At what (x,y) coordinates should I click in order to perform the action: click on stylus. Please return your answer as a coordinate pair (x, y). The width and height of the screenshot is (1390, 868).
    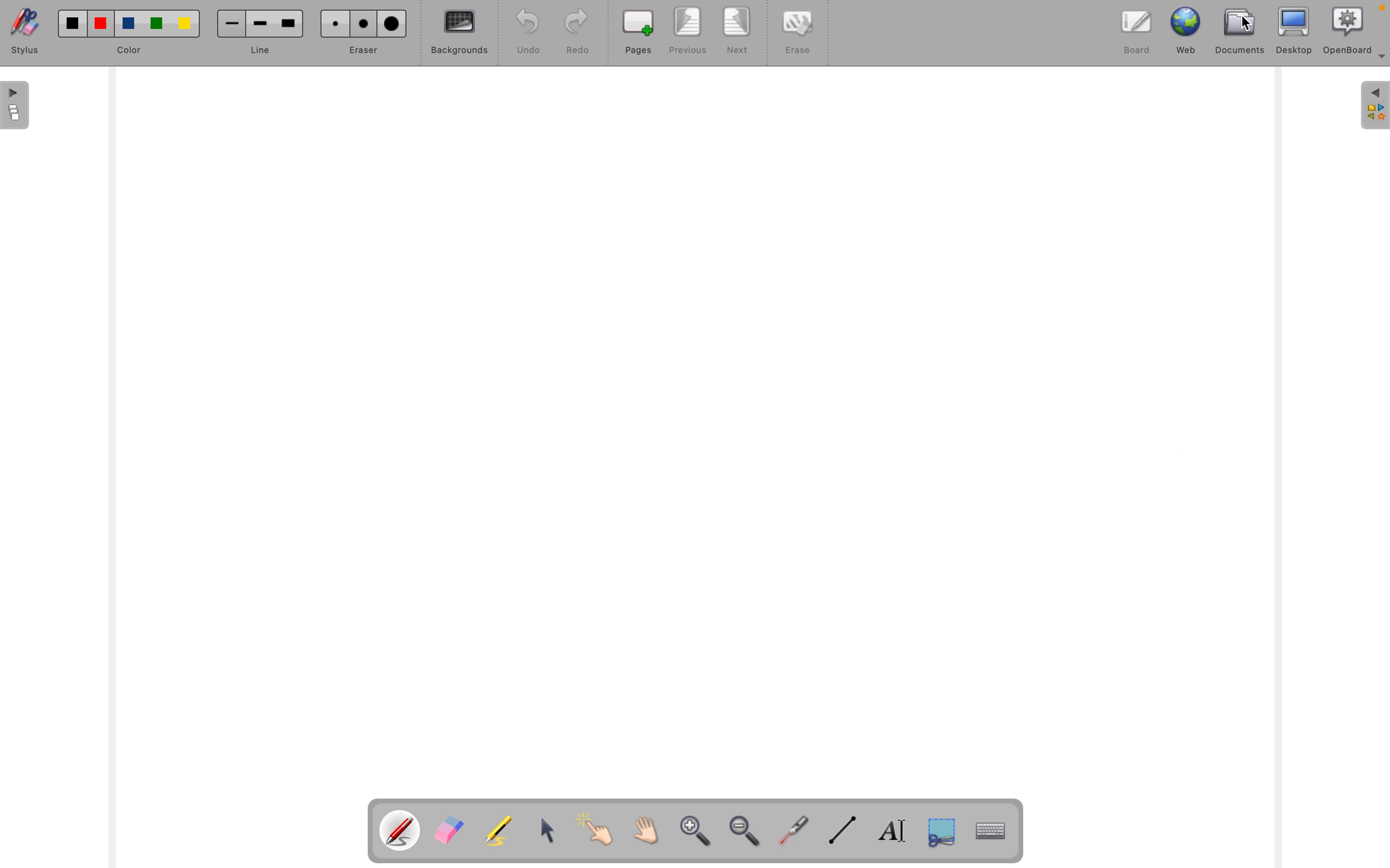
    Looking at the image, I should click on (22, 34).